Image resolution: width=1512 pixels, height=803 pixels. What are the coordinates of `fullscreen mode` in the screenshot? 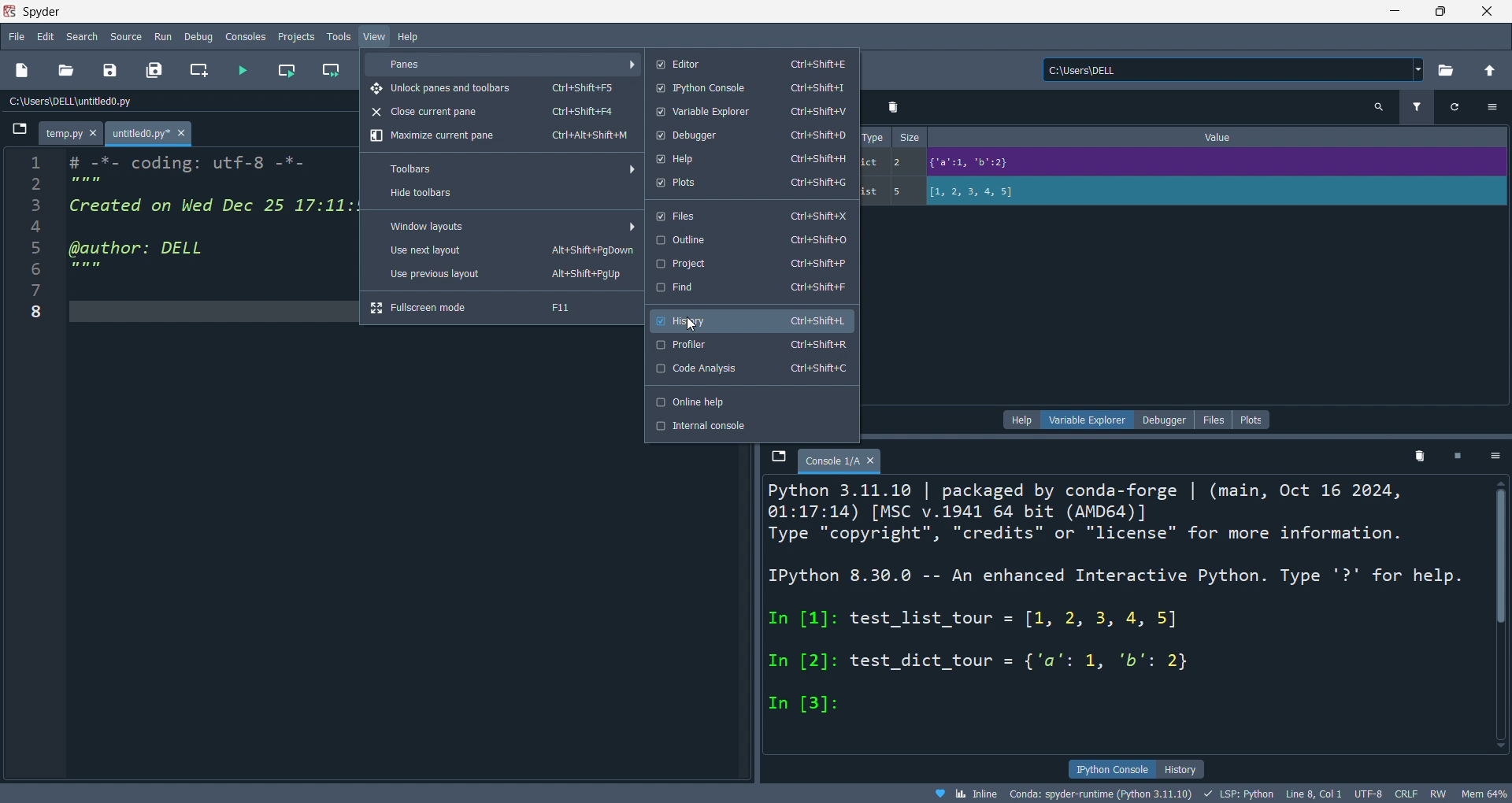 It's located at (500, 308).